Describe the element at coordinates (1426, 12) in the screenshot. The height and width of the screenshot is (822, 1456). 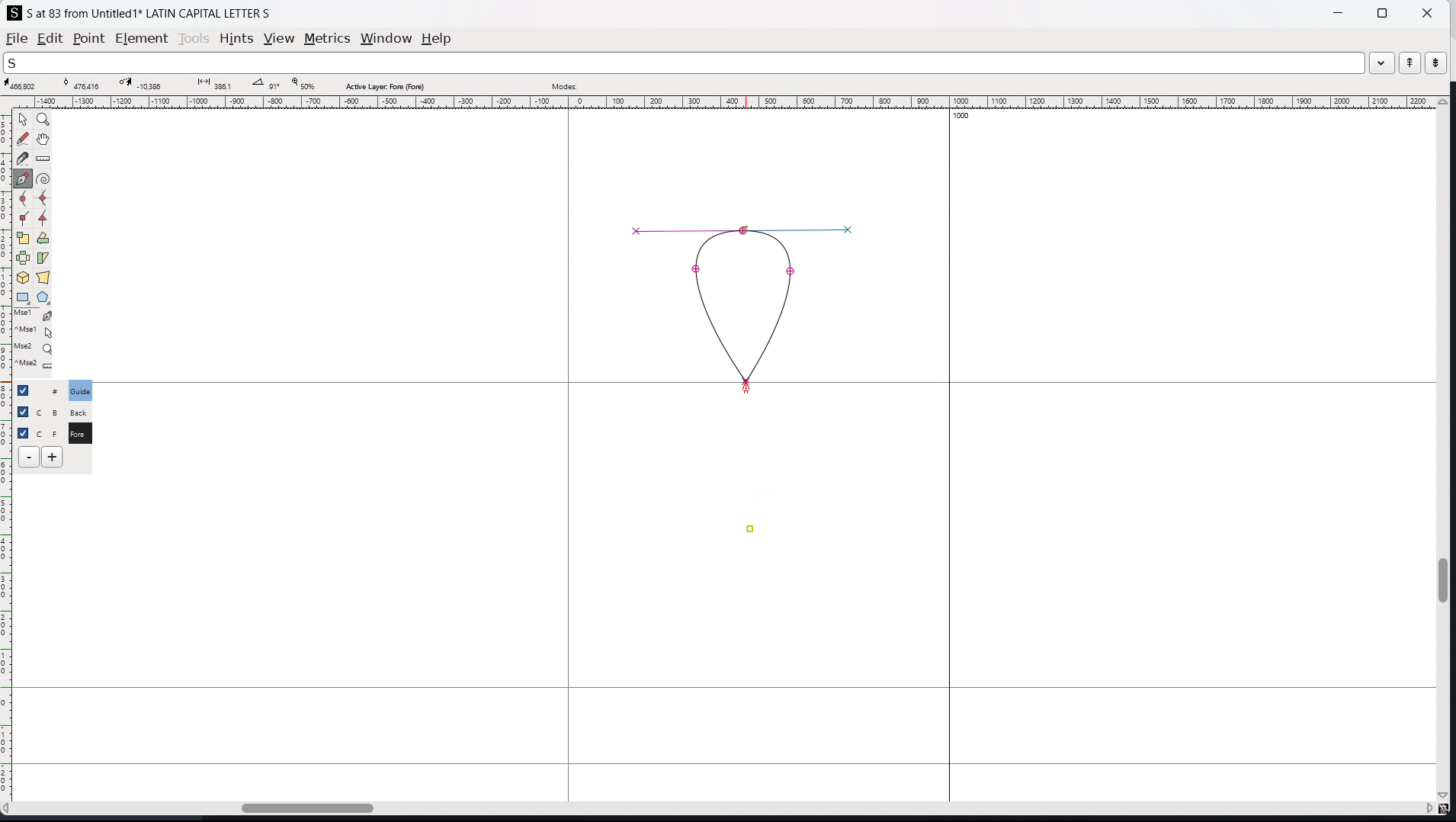
I see `close` at that location.